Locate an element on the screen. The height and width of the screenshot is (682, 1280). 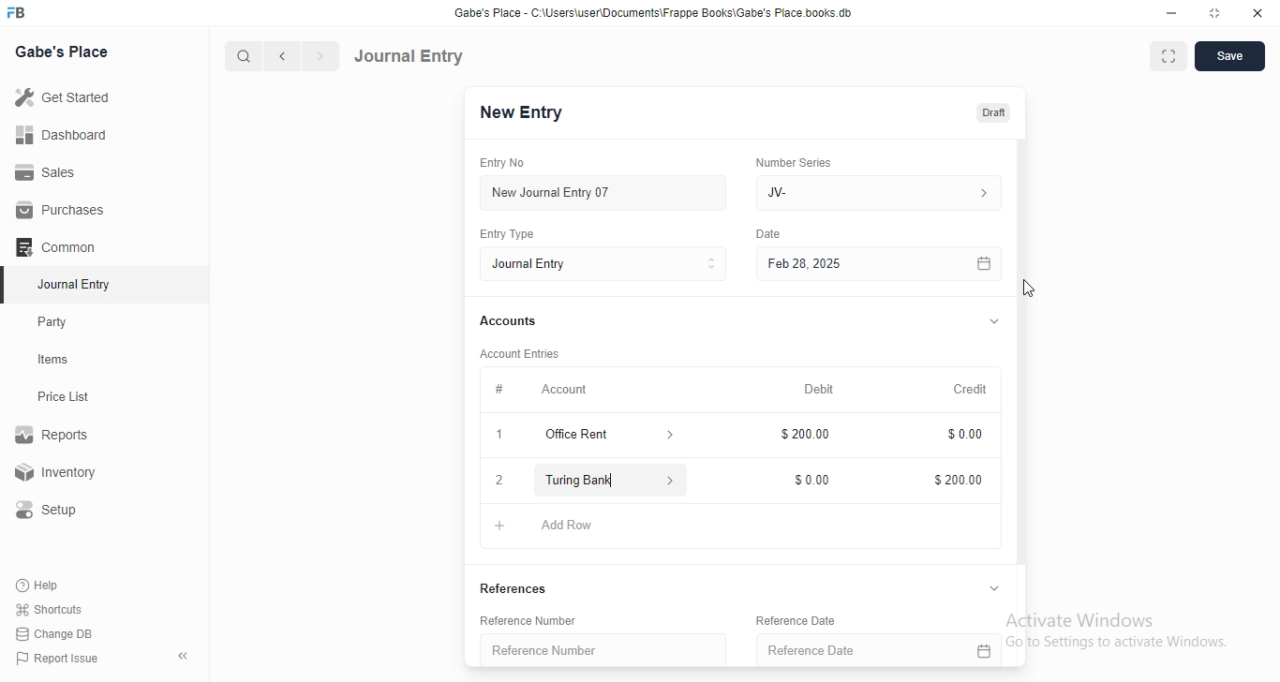
$ 0.00 is located at coordinates (960, 436).